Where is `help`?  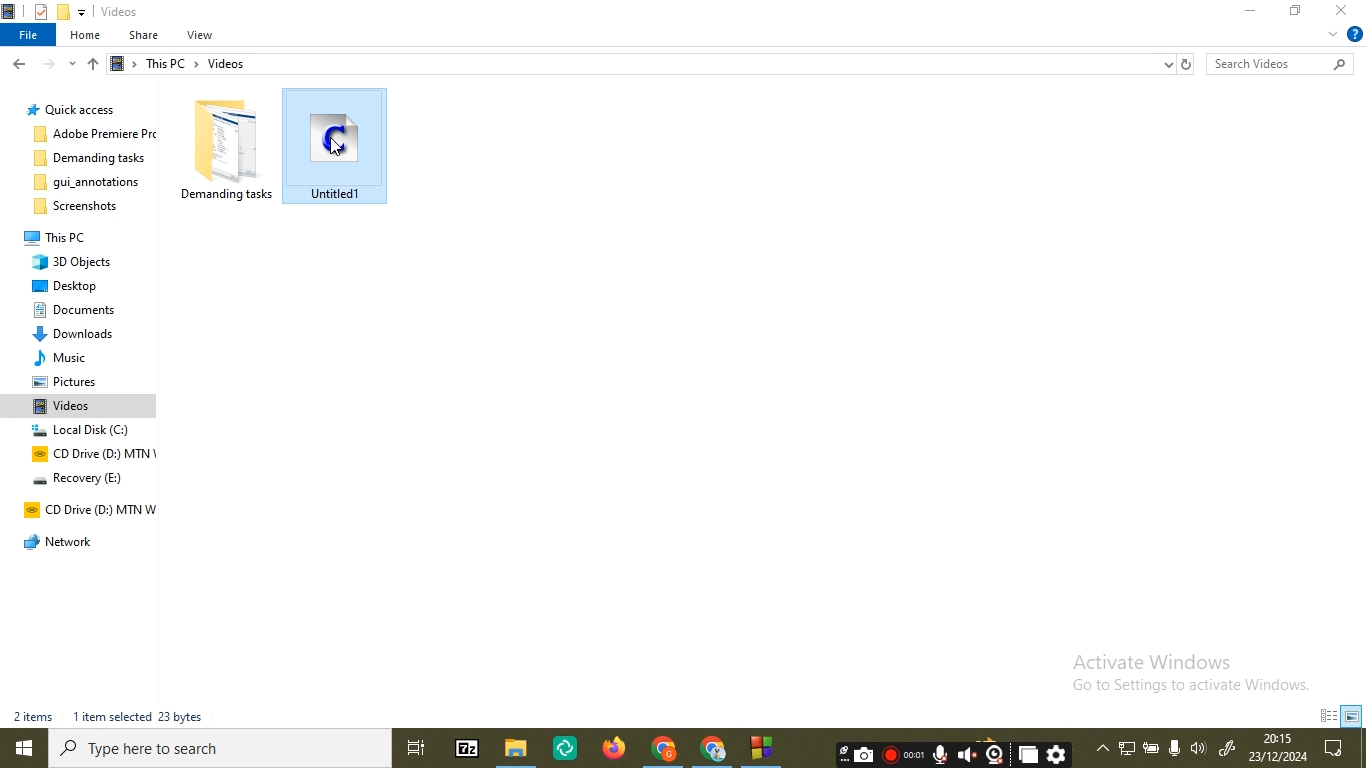 help is located at coordinates (1340, 35).